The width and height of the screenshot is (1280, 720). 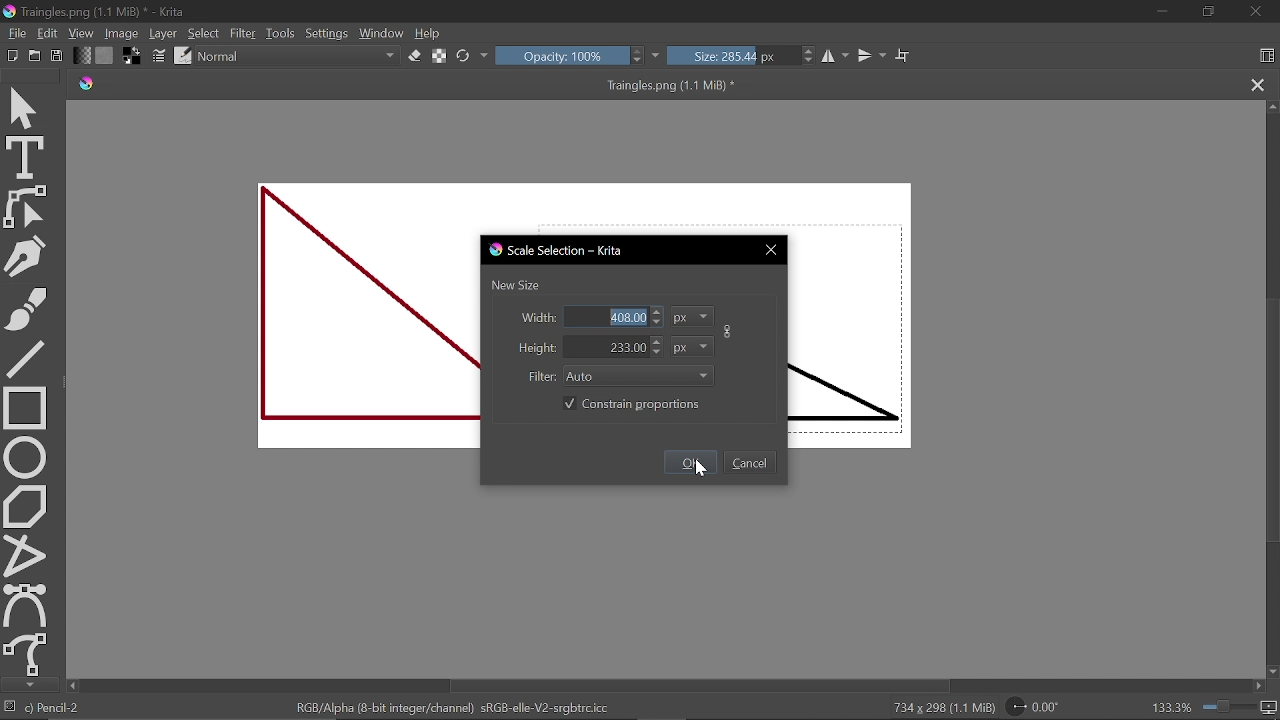 I want to click on Open new document, so click(x=13, y=56).